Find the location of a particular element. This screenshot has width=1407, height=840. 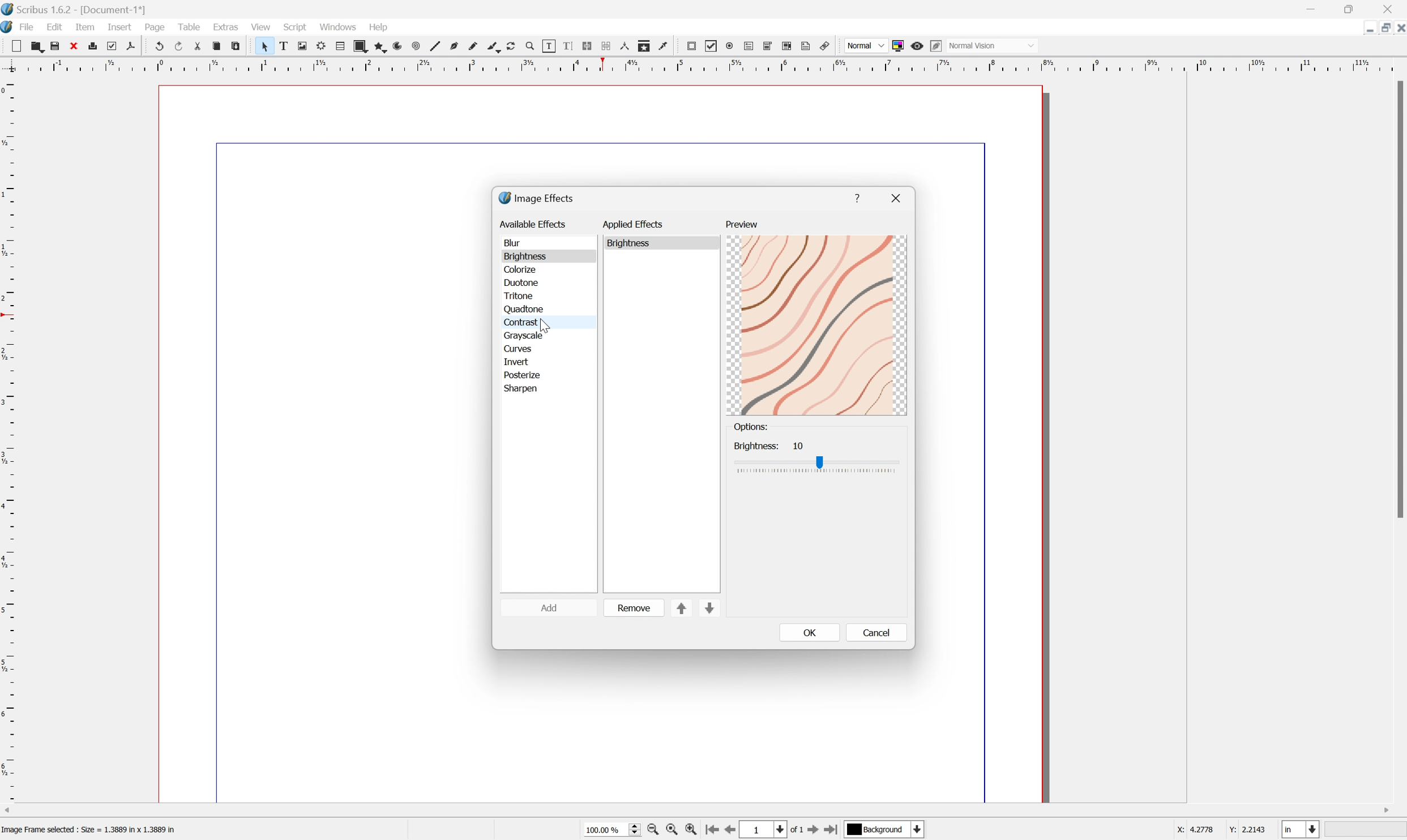

Scroll bar is located at coordinates (703, 808).